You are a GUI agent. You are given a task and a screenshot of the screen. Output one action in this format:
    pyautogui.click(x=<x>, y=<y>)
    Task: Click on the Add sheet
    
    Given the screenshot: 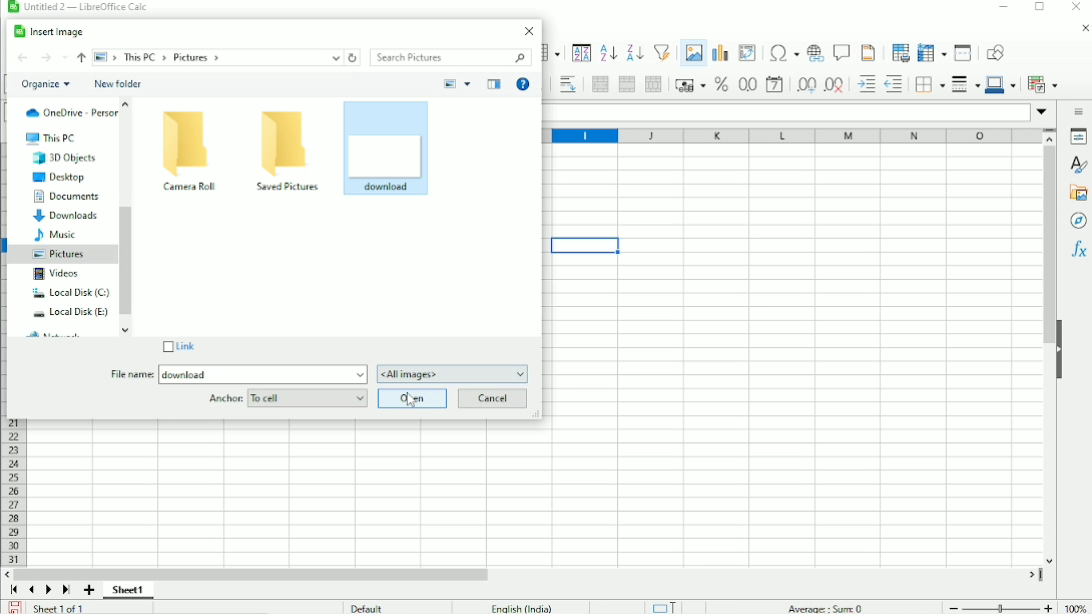 What is the action you would take?
    pyautogui.click(x=89, y=590)
    